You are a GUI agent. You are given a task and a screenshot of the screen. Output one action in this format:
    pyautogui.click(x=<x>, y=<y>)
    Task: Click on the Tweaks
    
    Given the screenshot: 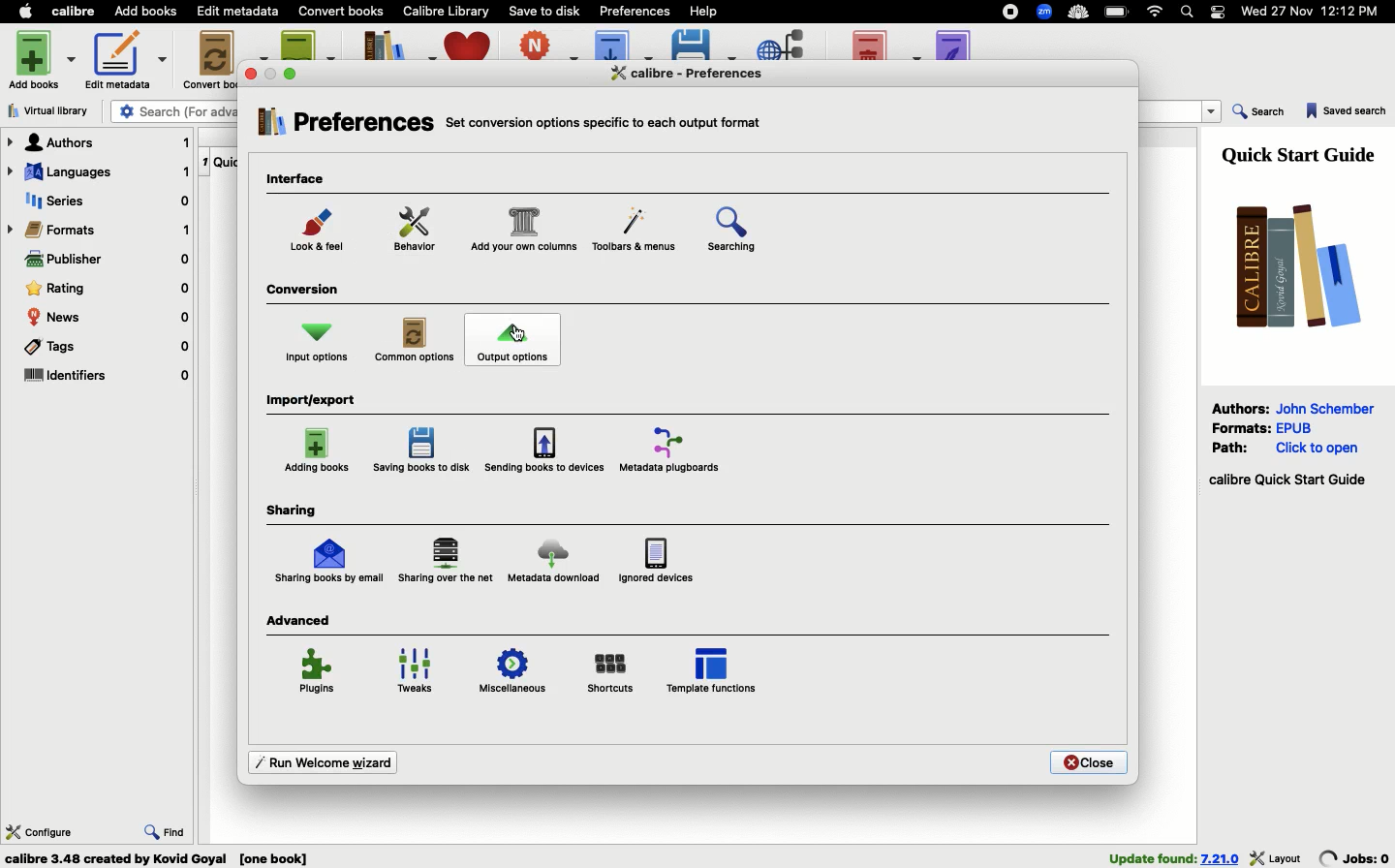 What is the action you would take?
    pyautogui.click(x=420, y=672)
    